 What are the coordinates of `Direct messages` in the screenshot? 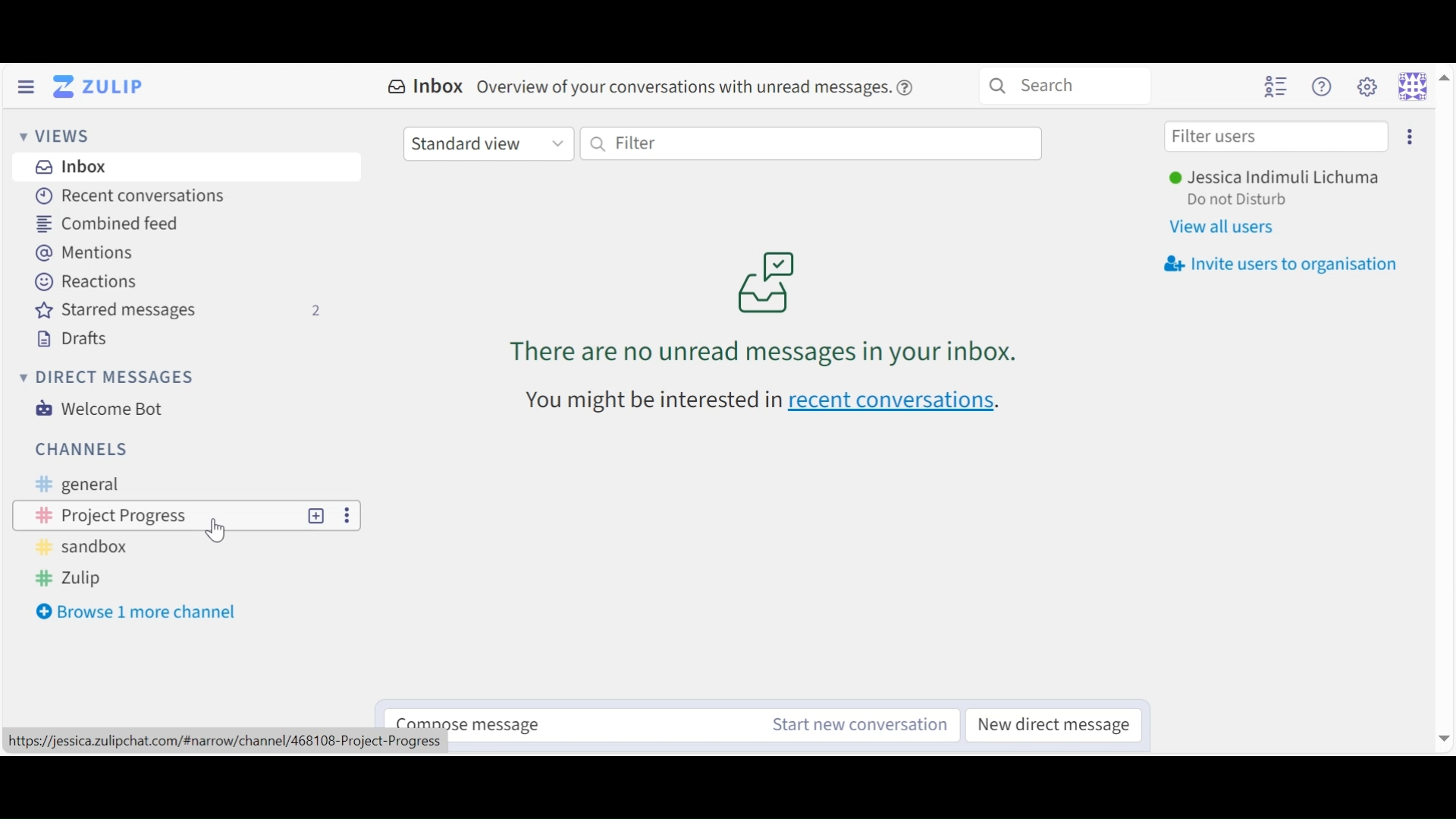 It's located at (111, 381).